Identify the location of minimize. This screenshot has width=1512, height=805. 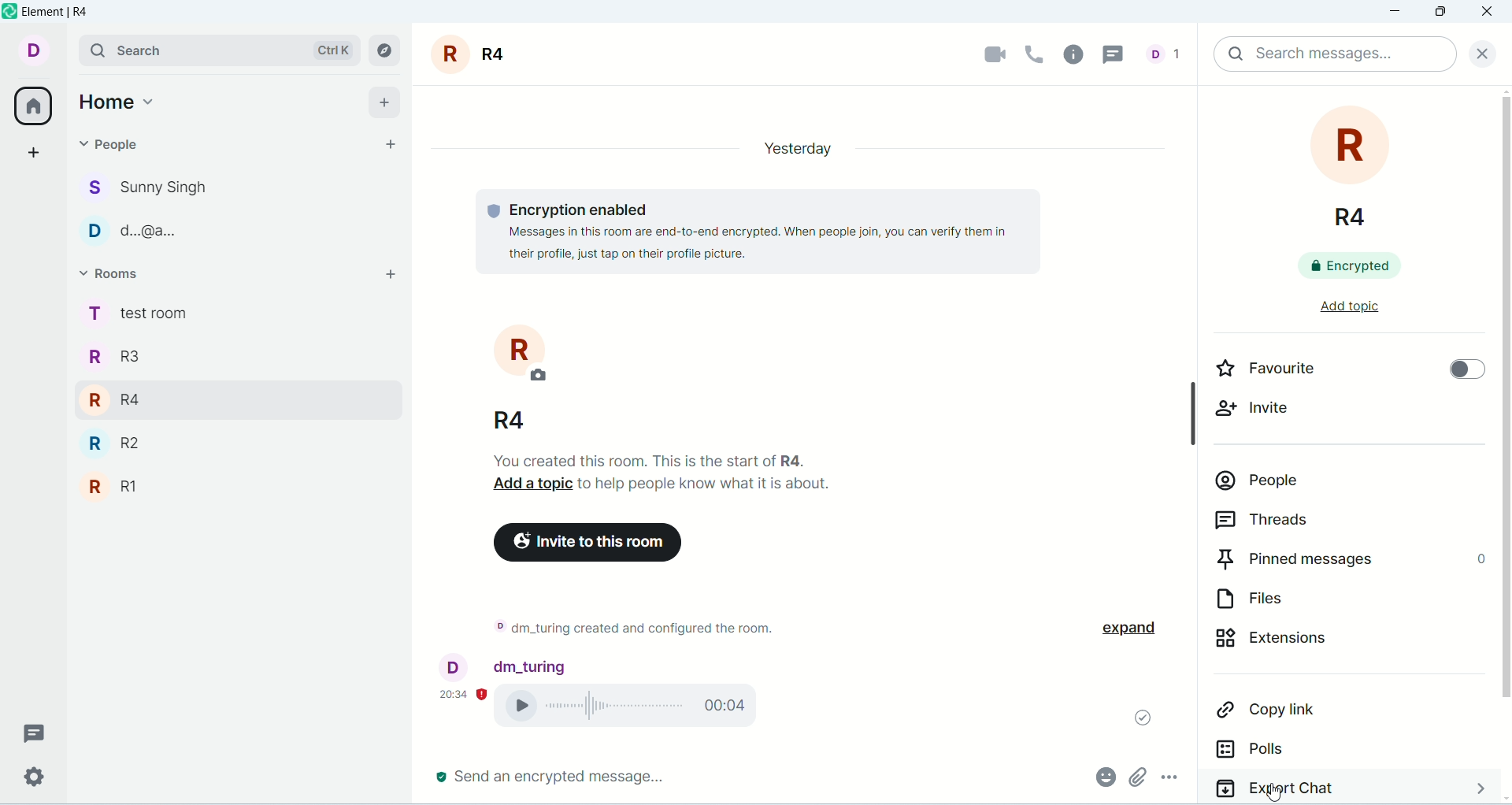
(1398, 13).